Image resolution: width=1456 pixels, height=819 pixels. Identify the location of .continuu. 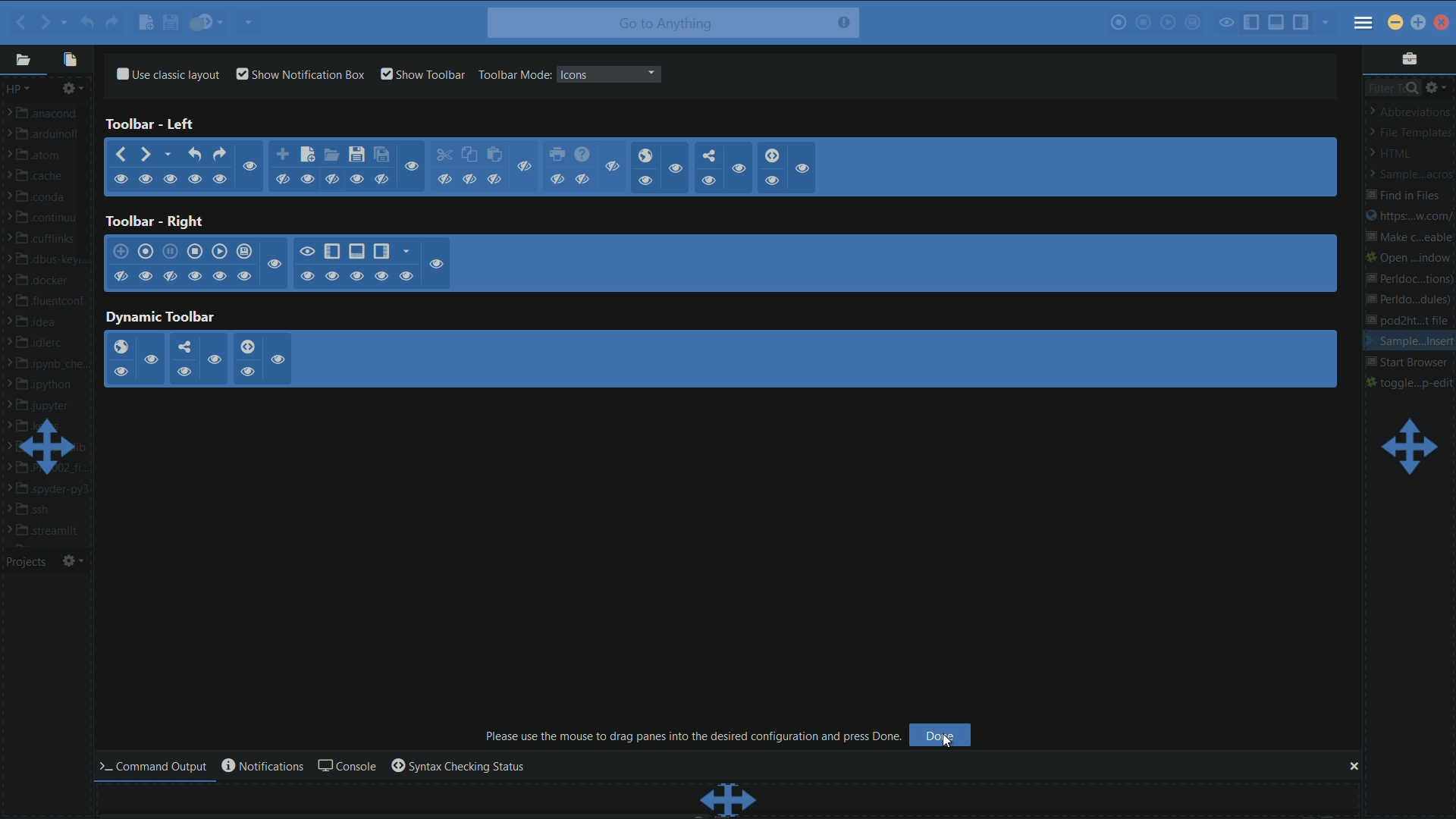
(53, 219).